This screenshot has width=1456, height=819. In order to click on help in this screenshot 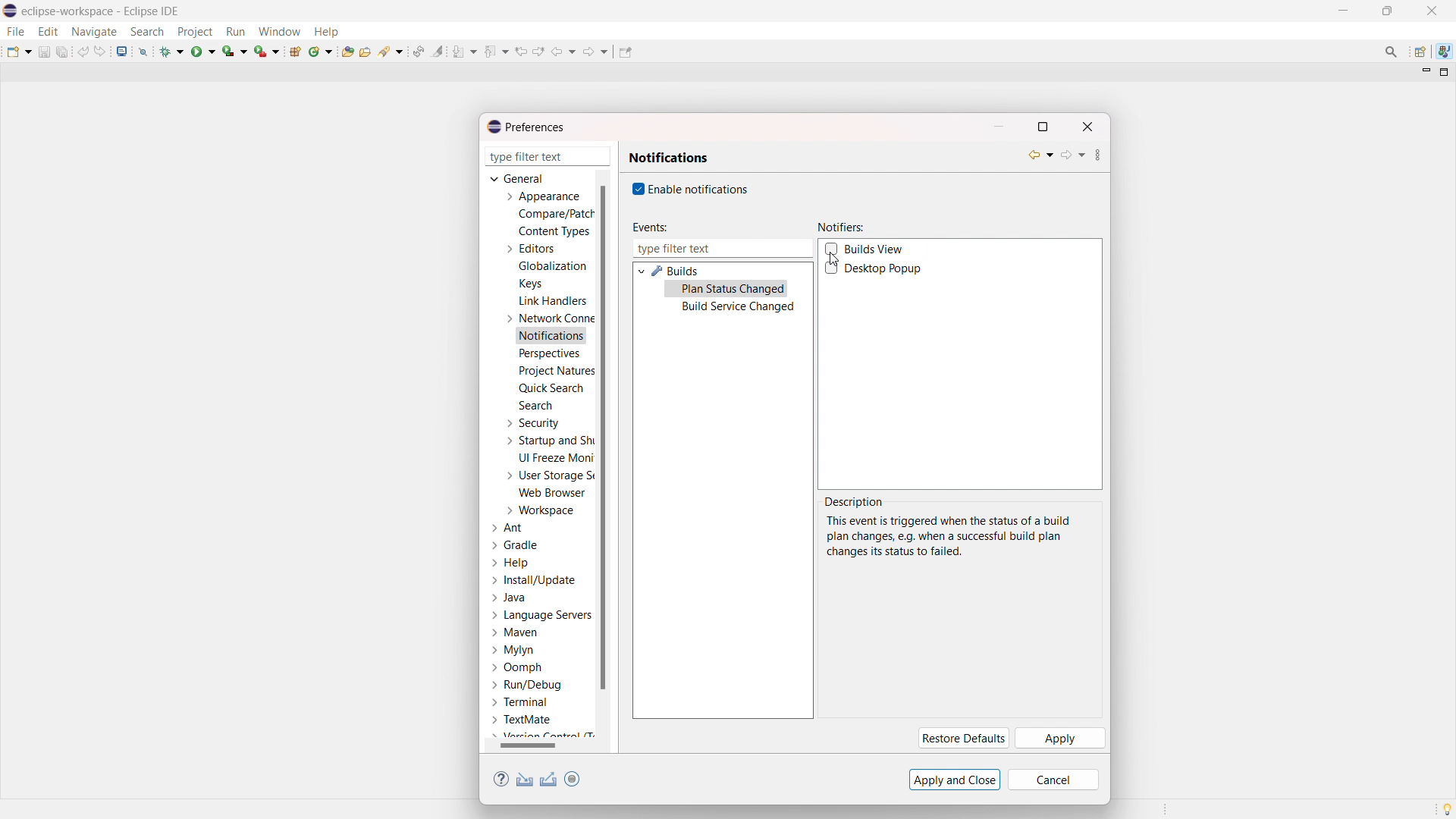, I will do `click(511, 563)`.